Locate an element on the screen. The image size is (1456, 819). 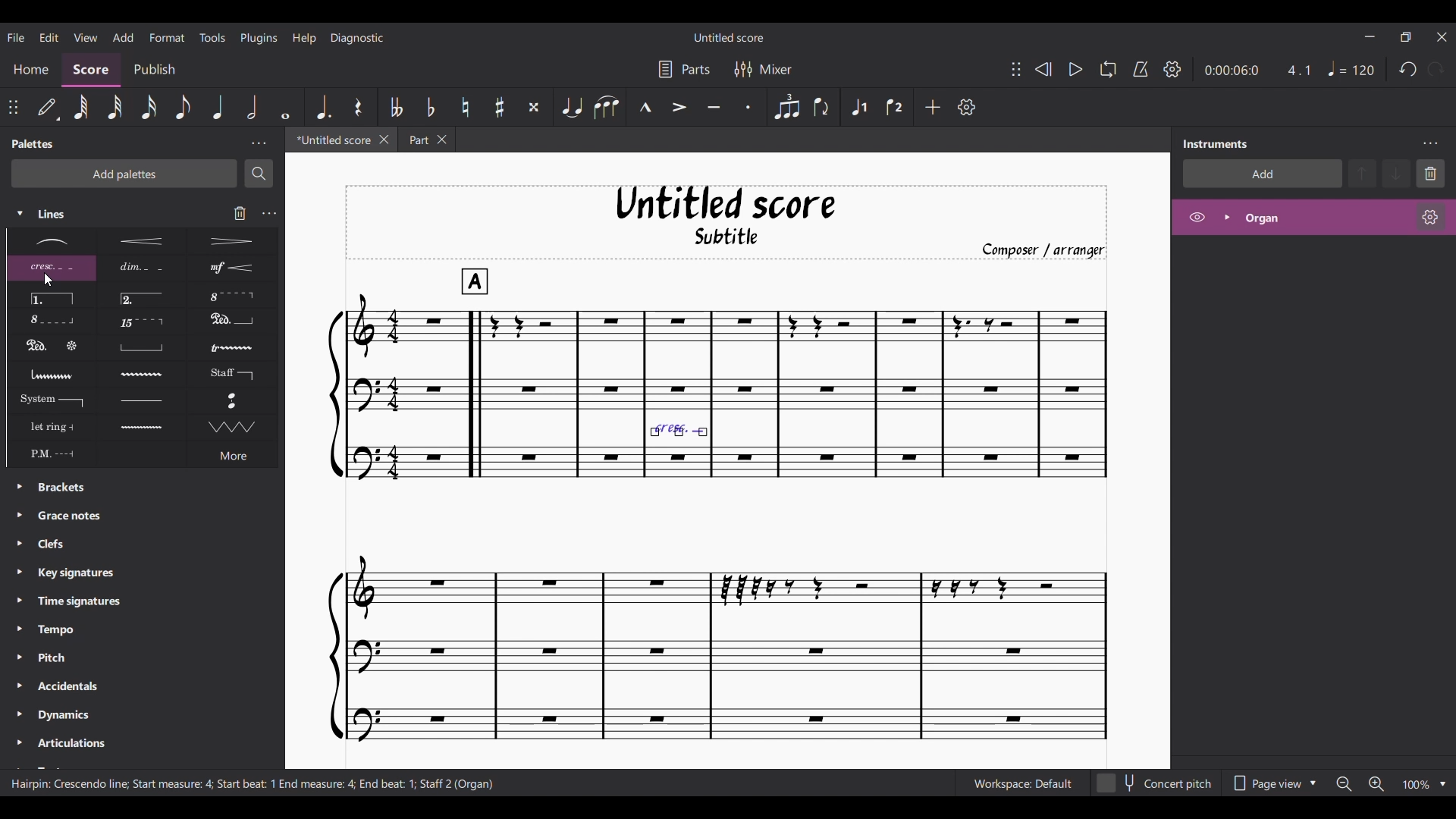
Play is located at coordinates (1075, 70).